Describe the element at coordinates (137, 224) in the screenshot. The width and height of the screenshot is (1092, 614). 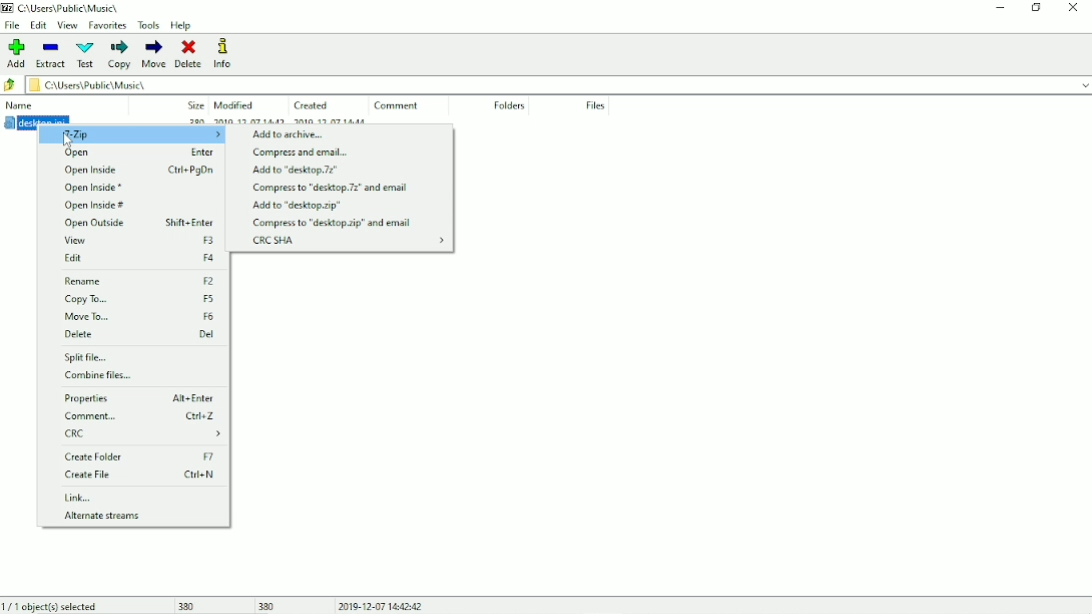
I see `Open Outside` at that location.